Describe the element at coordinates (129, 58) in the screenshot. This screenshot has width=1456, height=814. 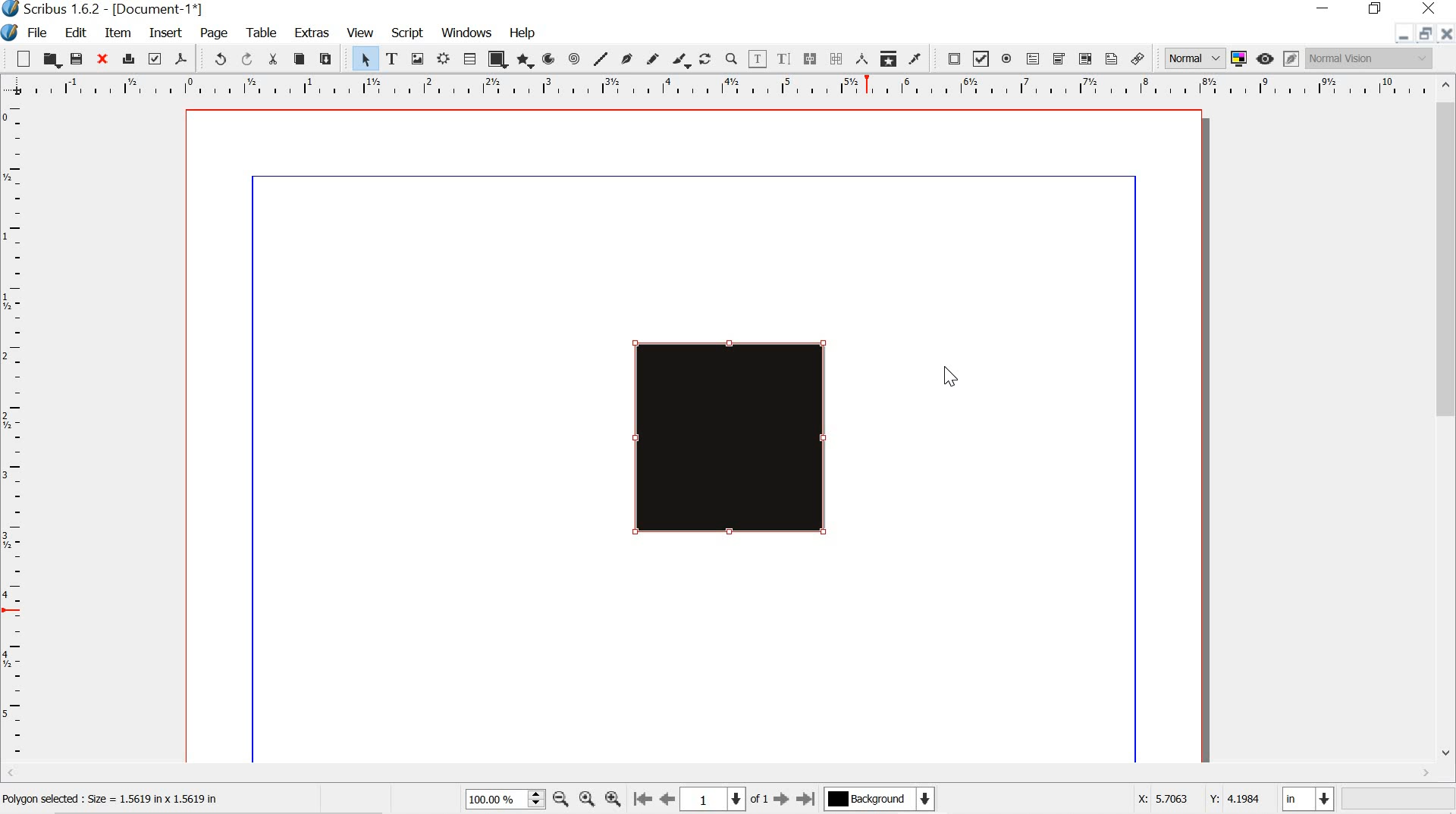
I see `print` at that location.